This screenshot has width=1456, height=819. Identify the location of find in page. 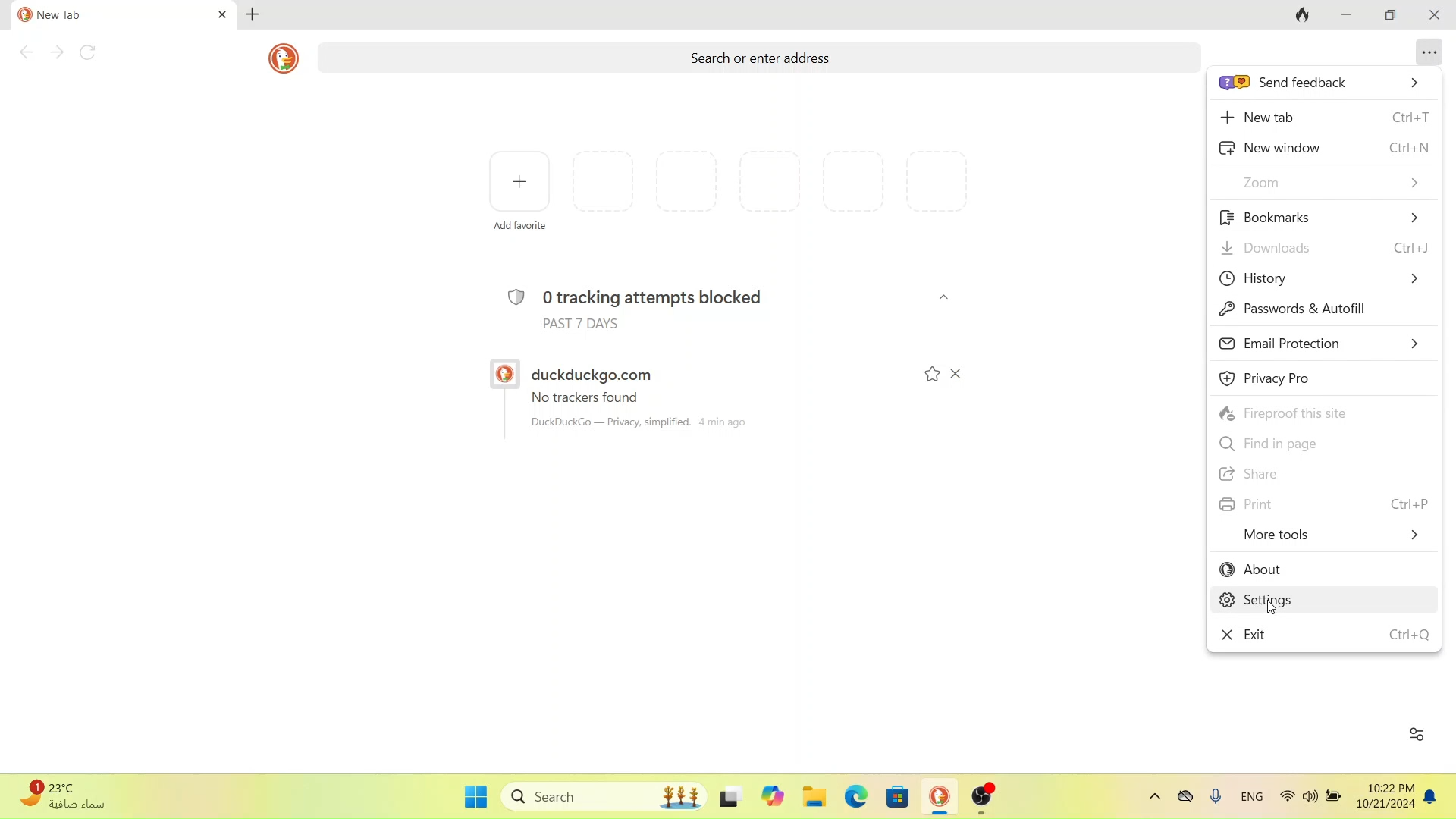
(1311, 443).